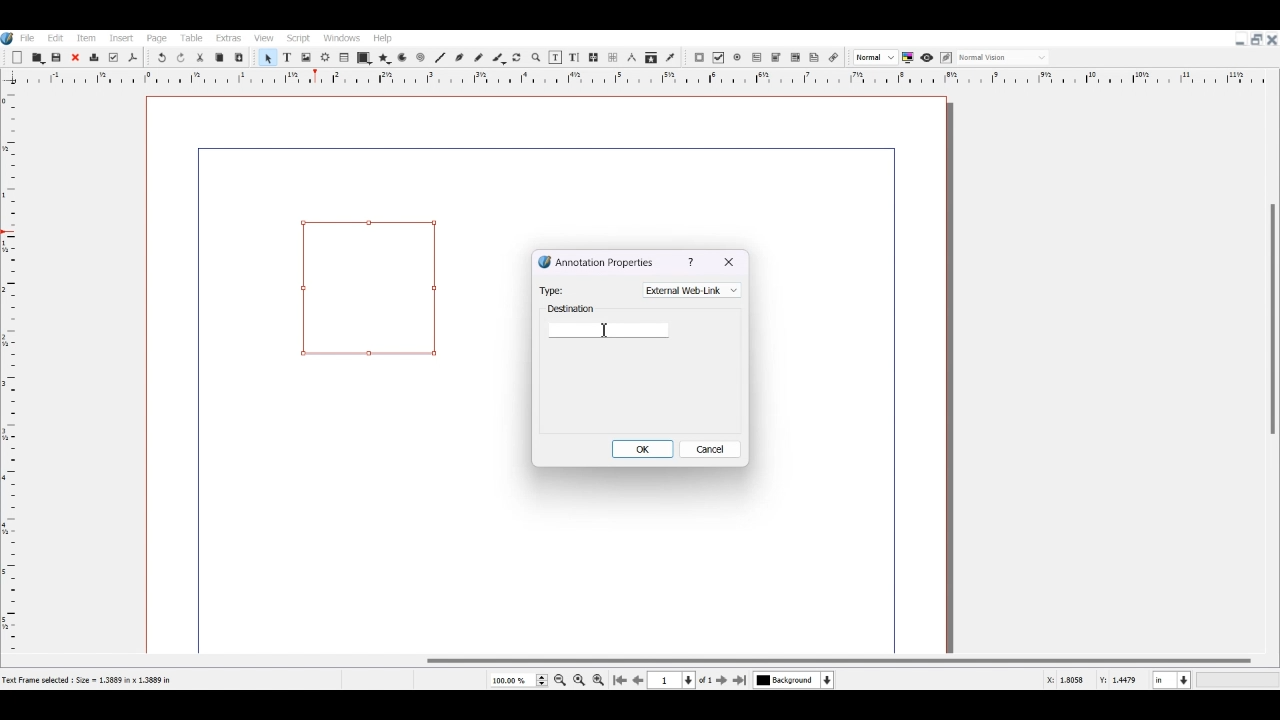  Describe the element at coordinates (776, 58) in the screenshot. I see `PDF Combo Box` at that location.